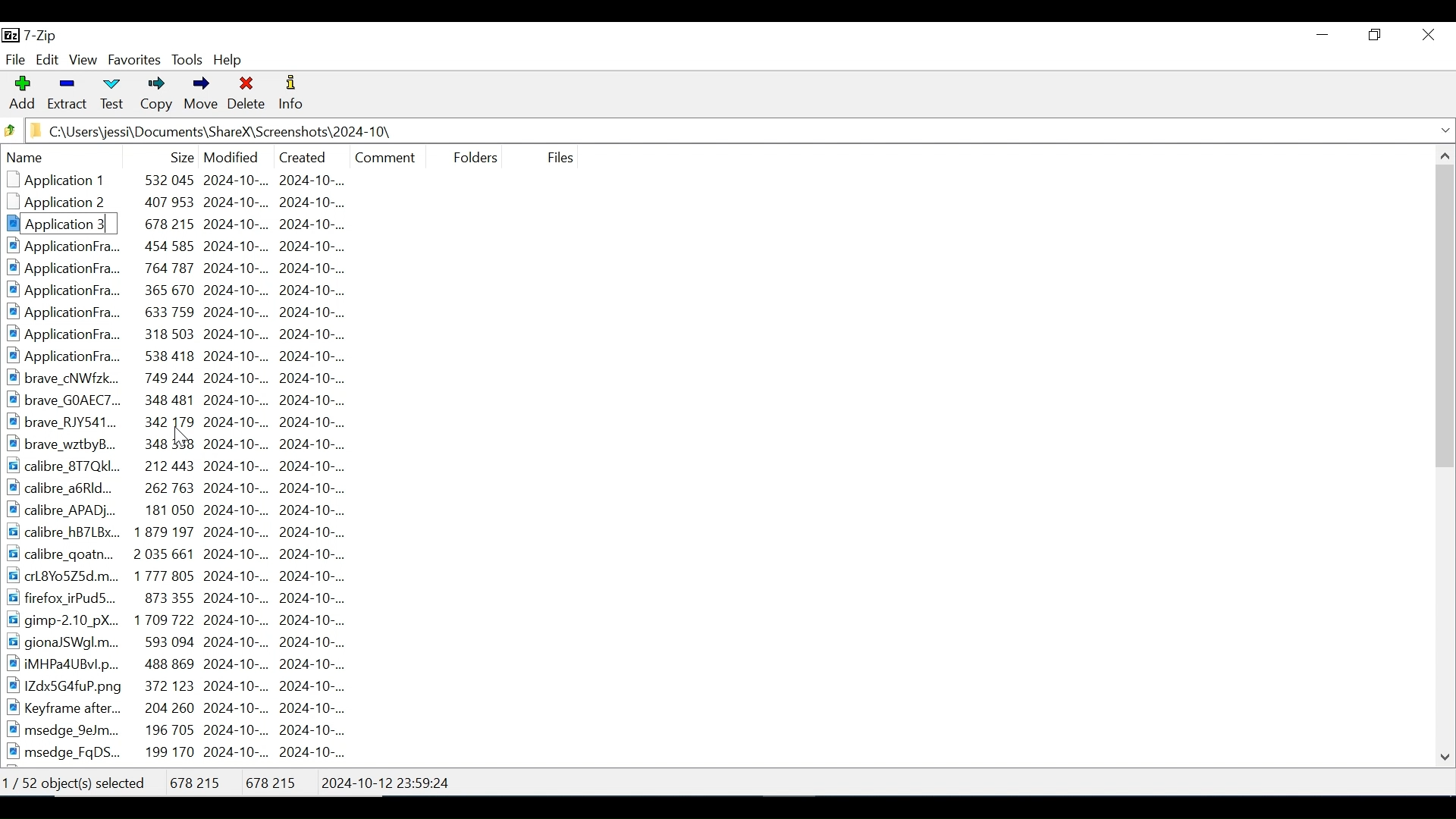 The image size is (1456, 819). I want to click on Date Modified, so click(231, 155).